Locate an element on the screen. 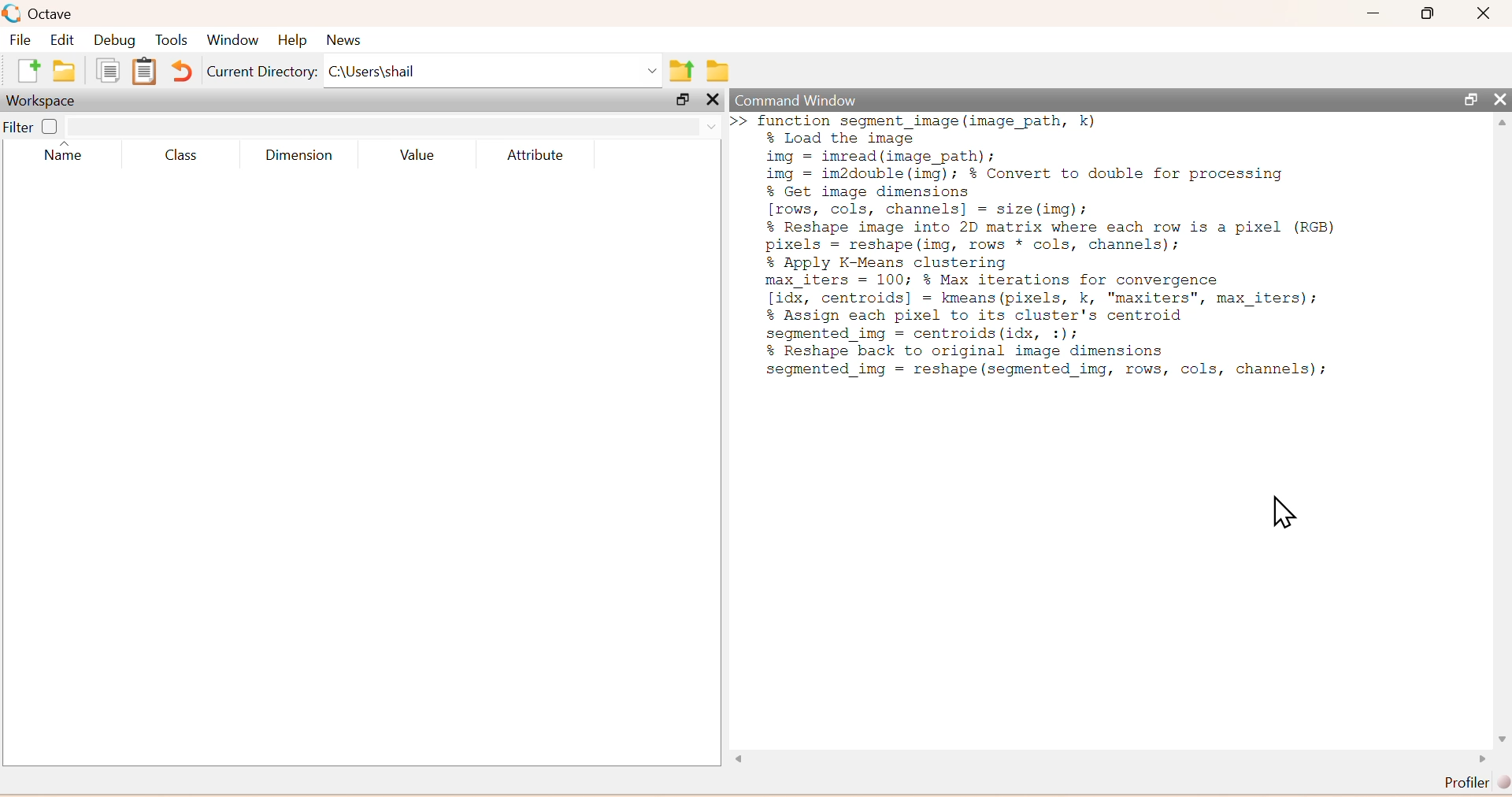  search box is located at coordinates (382, 126).